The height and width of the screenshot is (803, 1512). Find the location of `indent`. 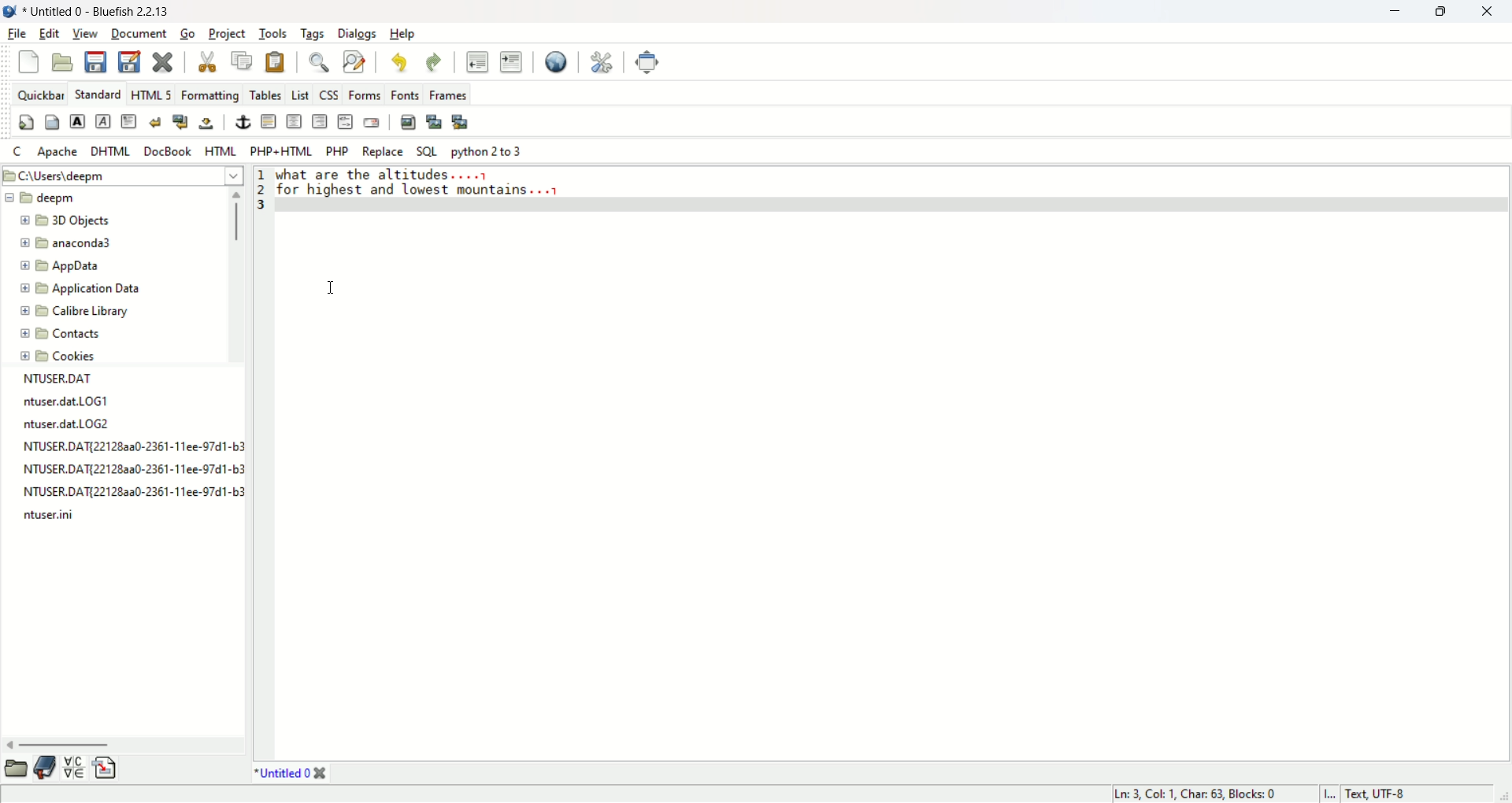

indent is located at coordinates (511, 62).